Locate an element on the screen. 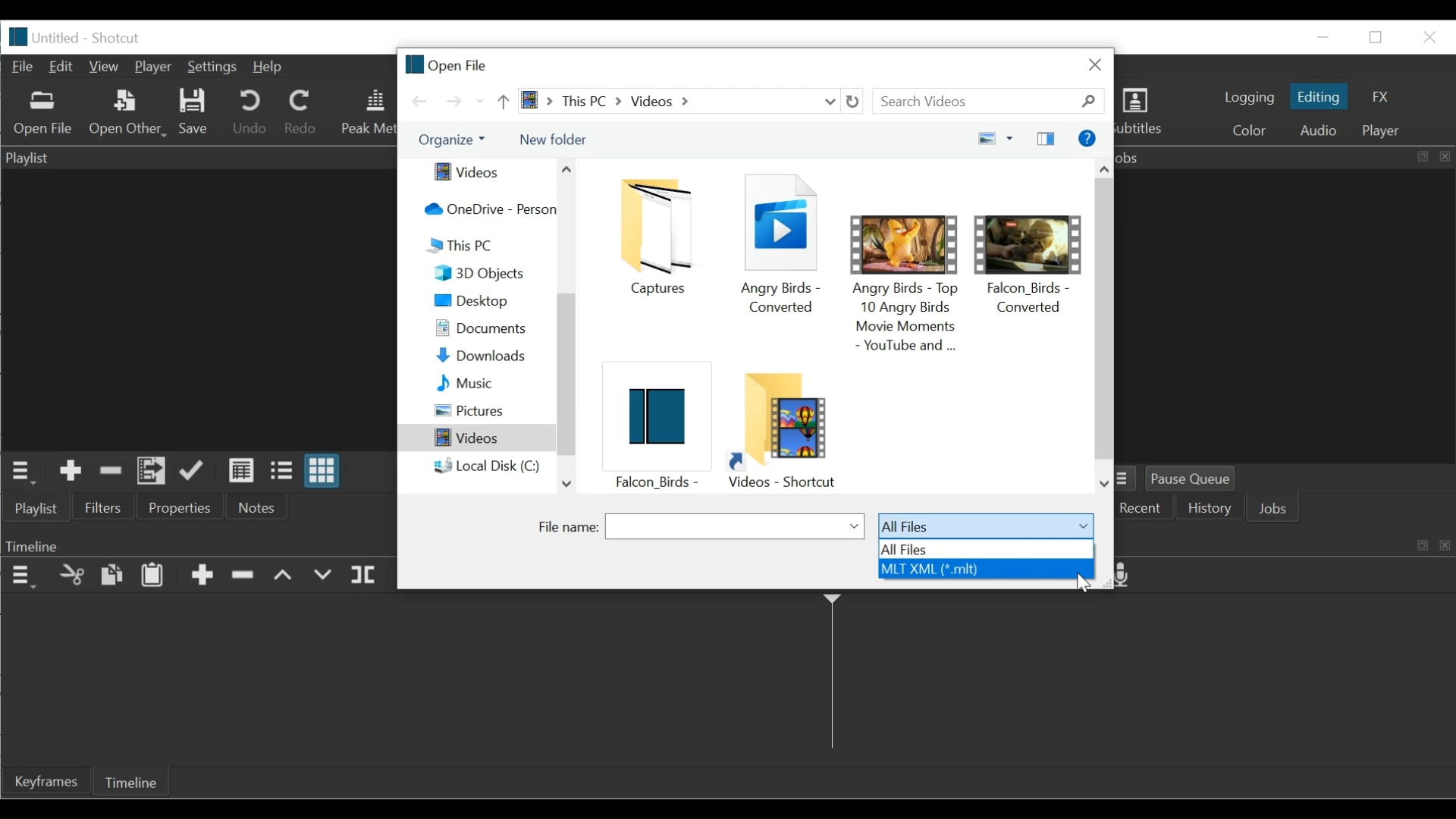 The height and width of the screenshot is (819, 1456). Restore is located at coordinates (1377, 38).